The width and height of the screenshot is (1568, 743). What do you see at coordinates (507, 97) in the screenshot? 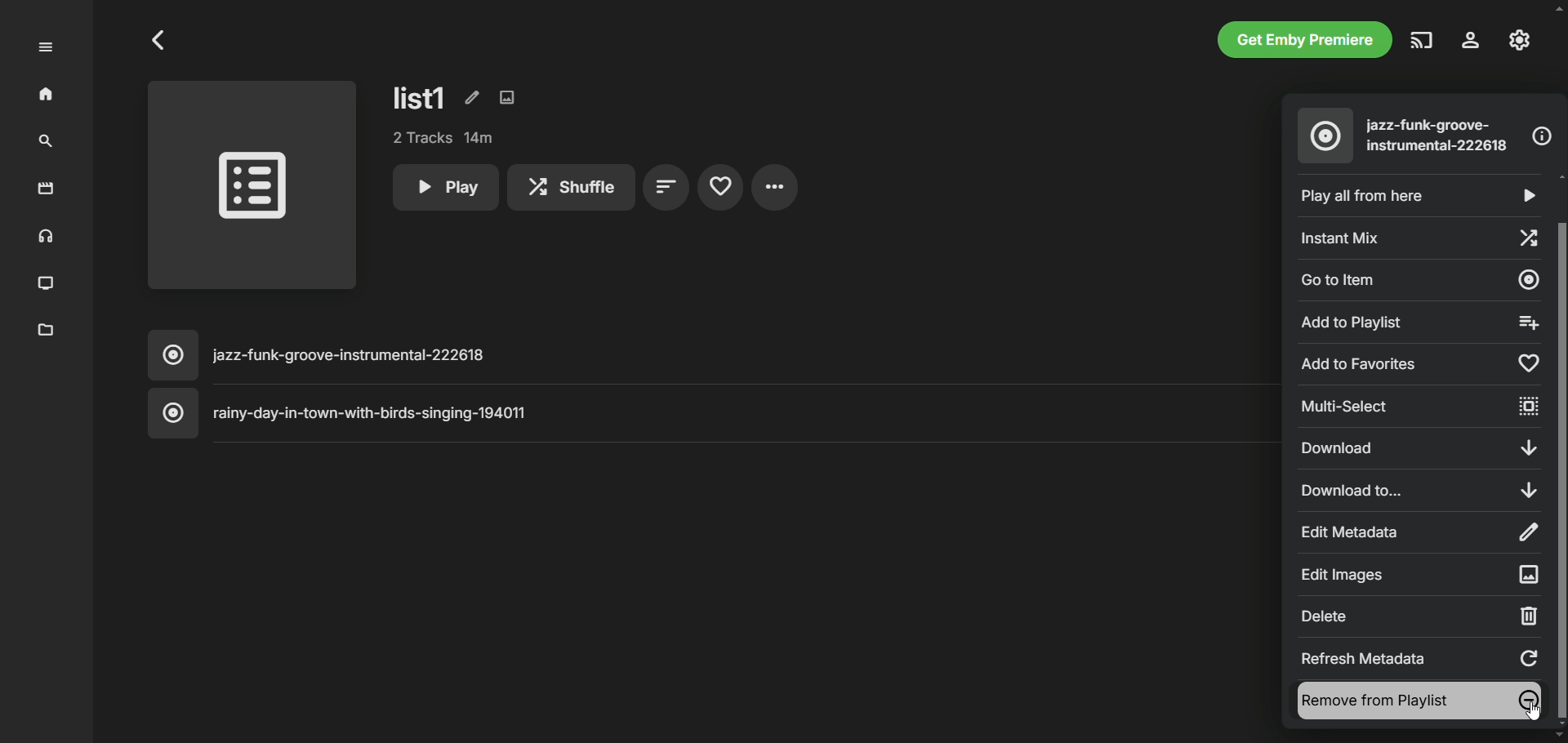
I see `edit images` at bounding box center [507, 97].